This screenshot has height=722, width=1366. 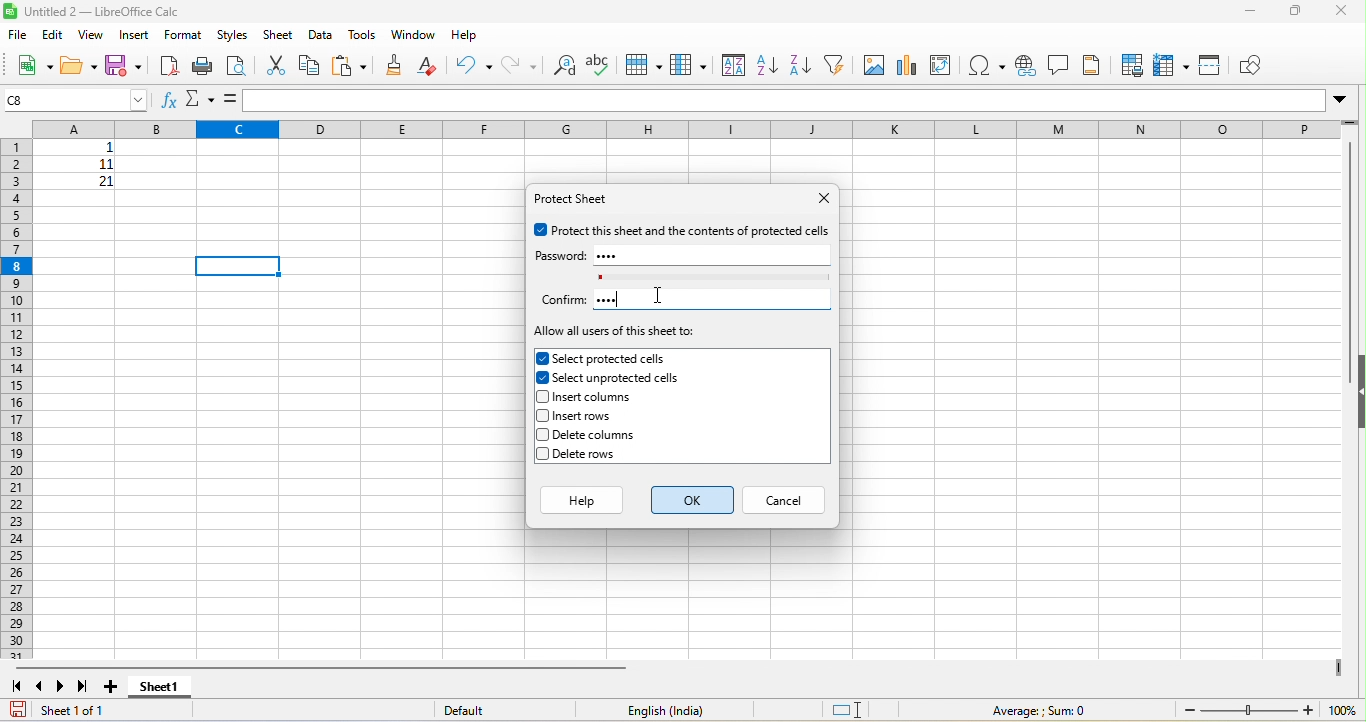 What do you see at coordinates (610, 358) in the screenshot?
I see `selected protected cells` at bounding box center [610, 358].